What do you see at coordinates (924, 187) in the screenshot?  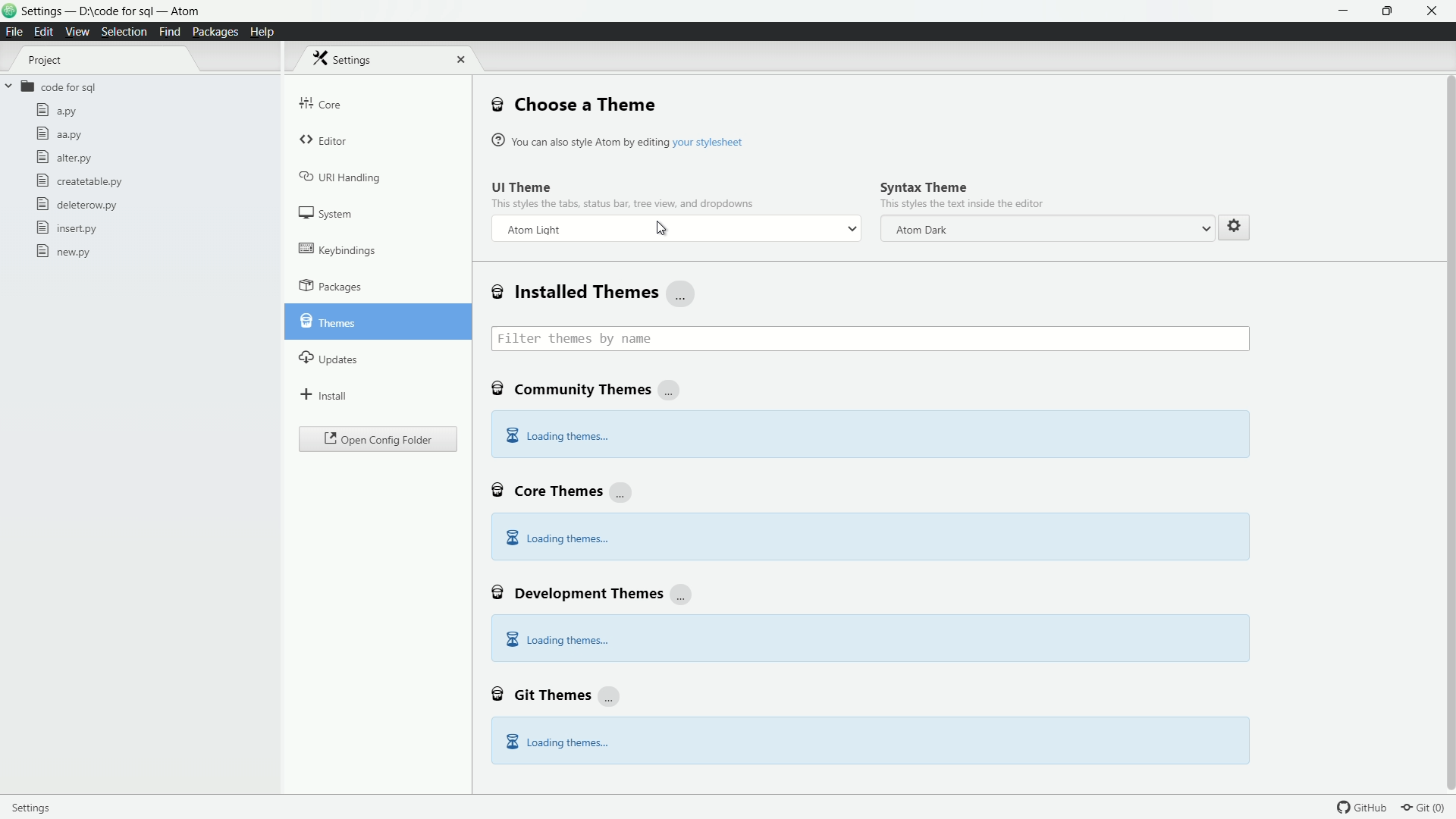 I see `syntax theme` at bounding box center [924, 187].